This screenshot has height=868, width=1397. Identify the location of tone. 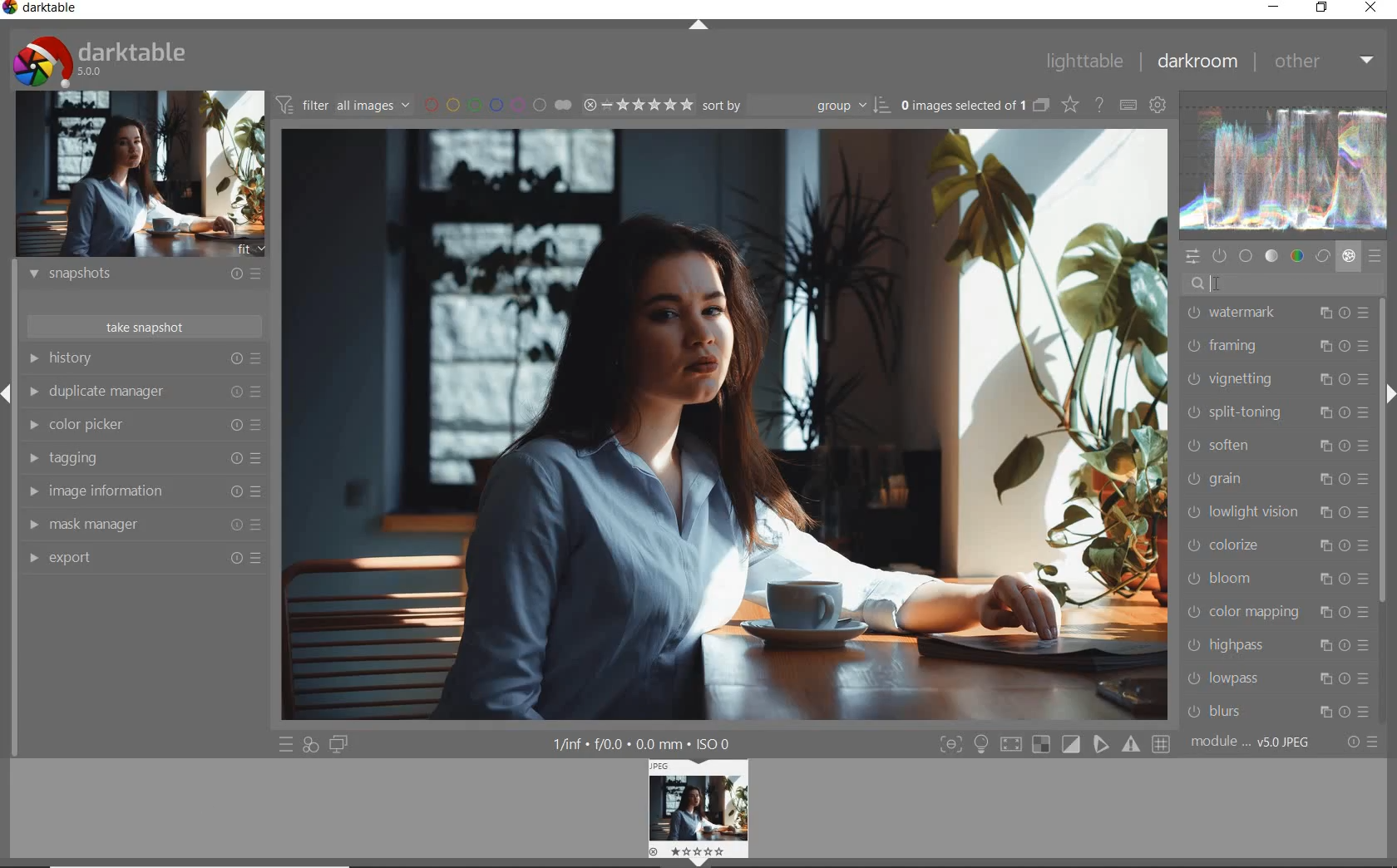
(1271, 255).